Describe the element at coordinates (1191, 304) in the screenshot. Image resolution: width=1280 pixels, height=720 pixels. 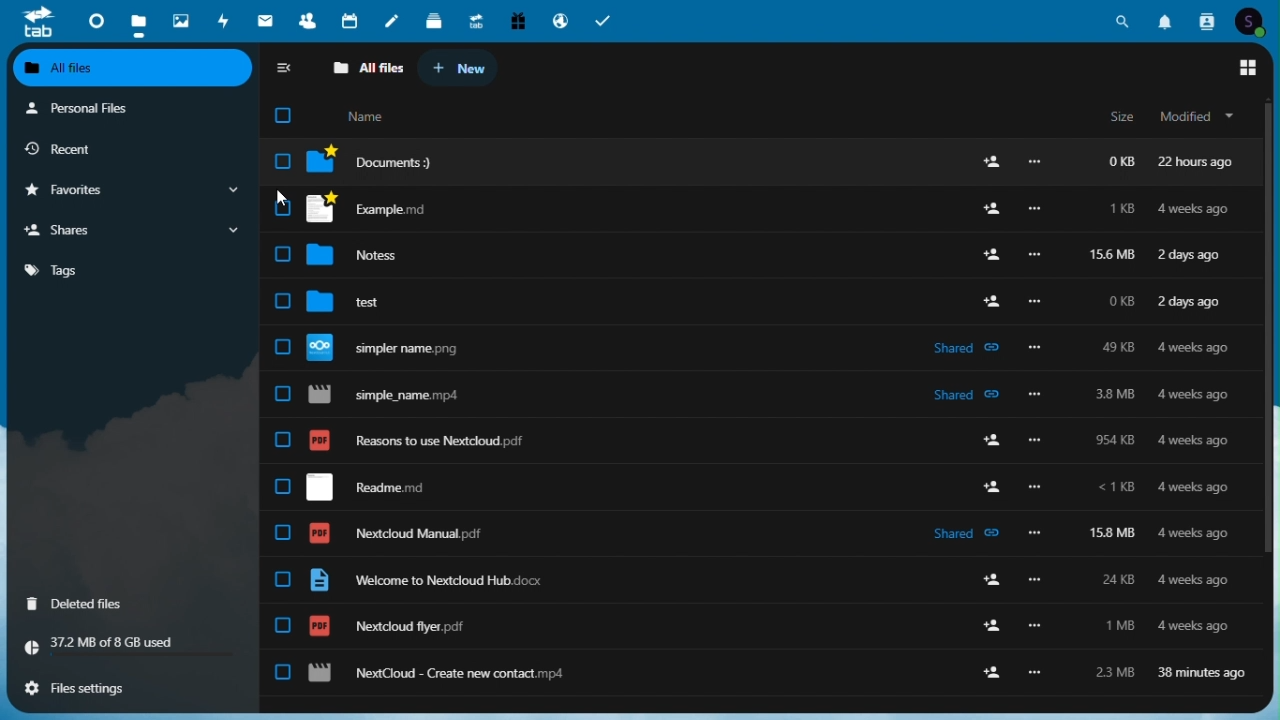
I see `2 days ago` at that location.